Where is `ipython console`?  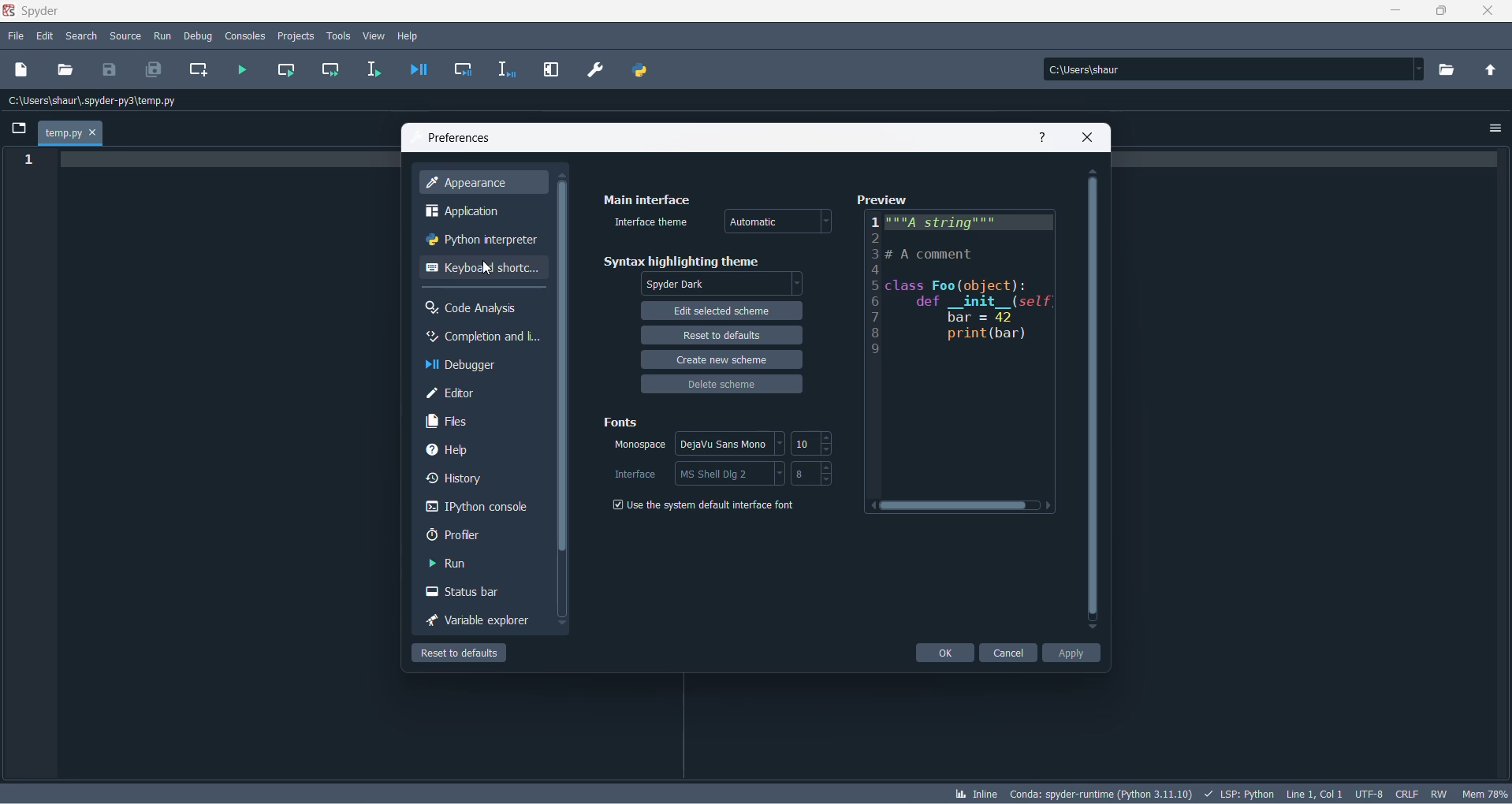 ipython console is located at coordinates (478, 508).